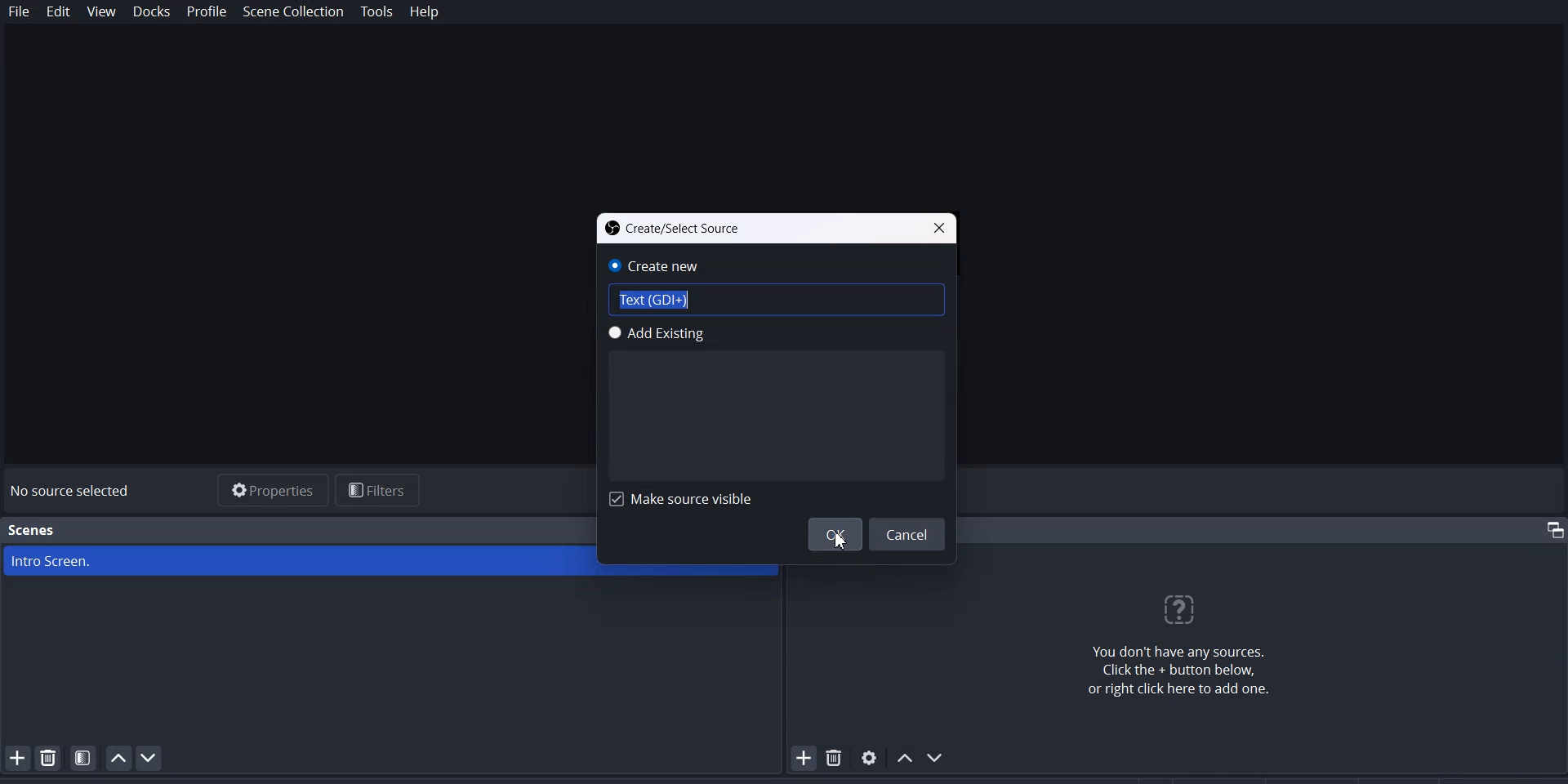 The width and height of the screenshot is (1568, 784). Describe the element at coordinates (33, 530) in the screenshot. I see `Scenes` at that location.